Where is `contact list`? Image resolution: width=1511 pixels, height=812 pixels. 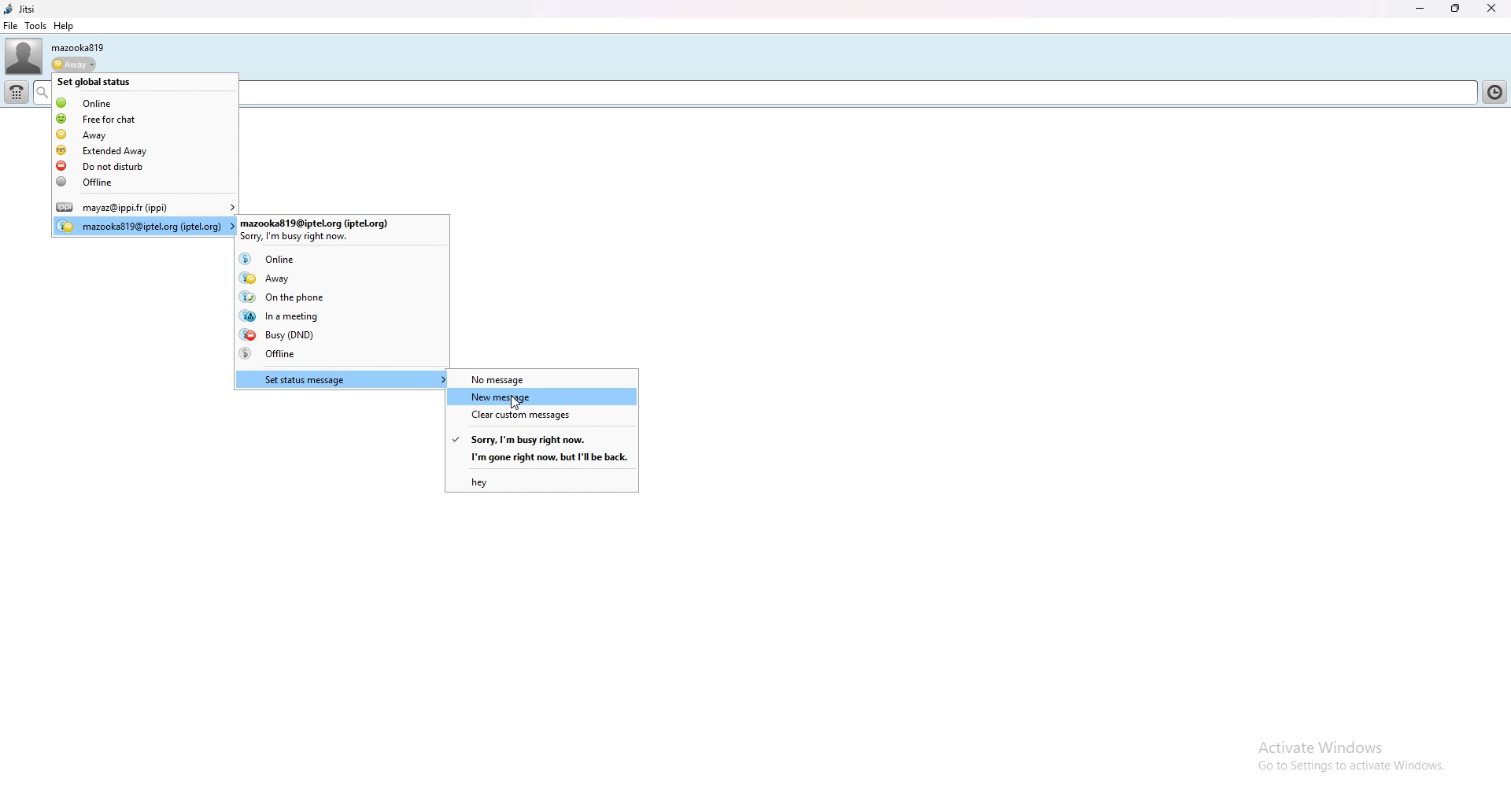
contact list is located at coordinates (1498, 90).